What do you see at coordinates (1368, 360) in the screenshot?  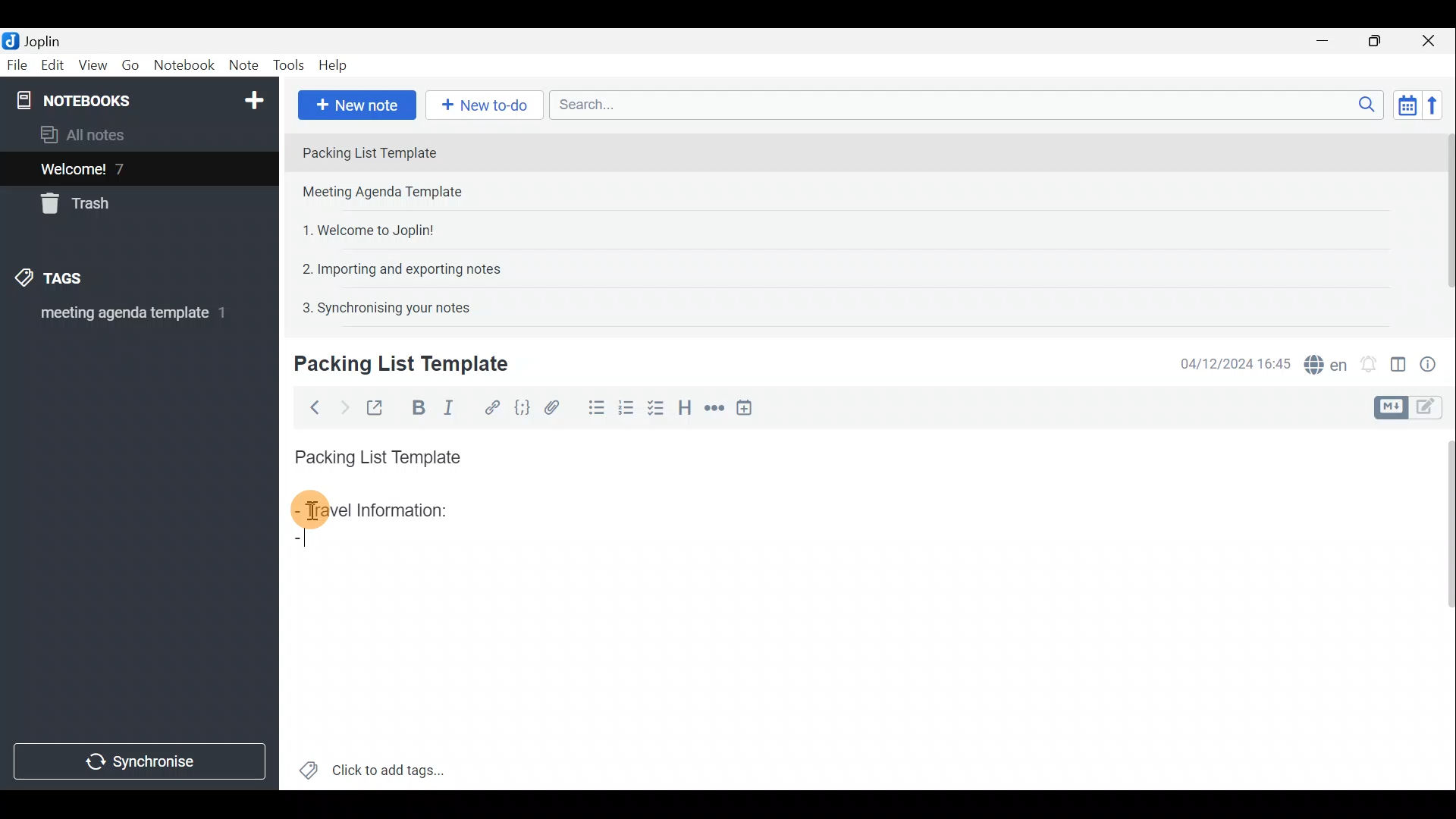 I see `Set alarm` at bounding box center [1368, 360].